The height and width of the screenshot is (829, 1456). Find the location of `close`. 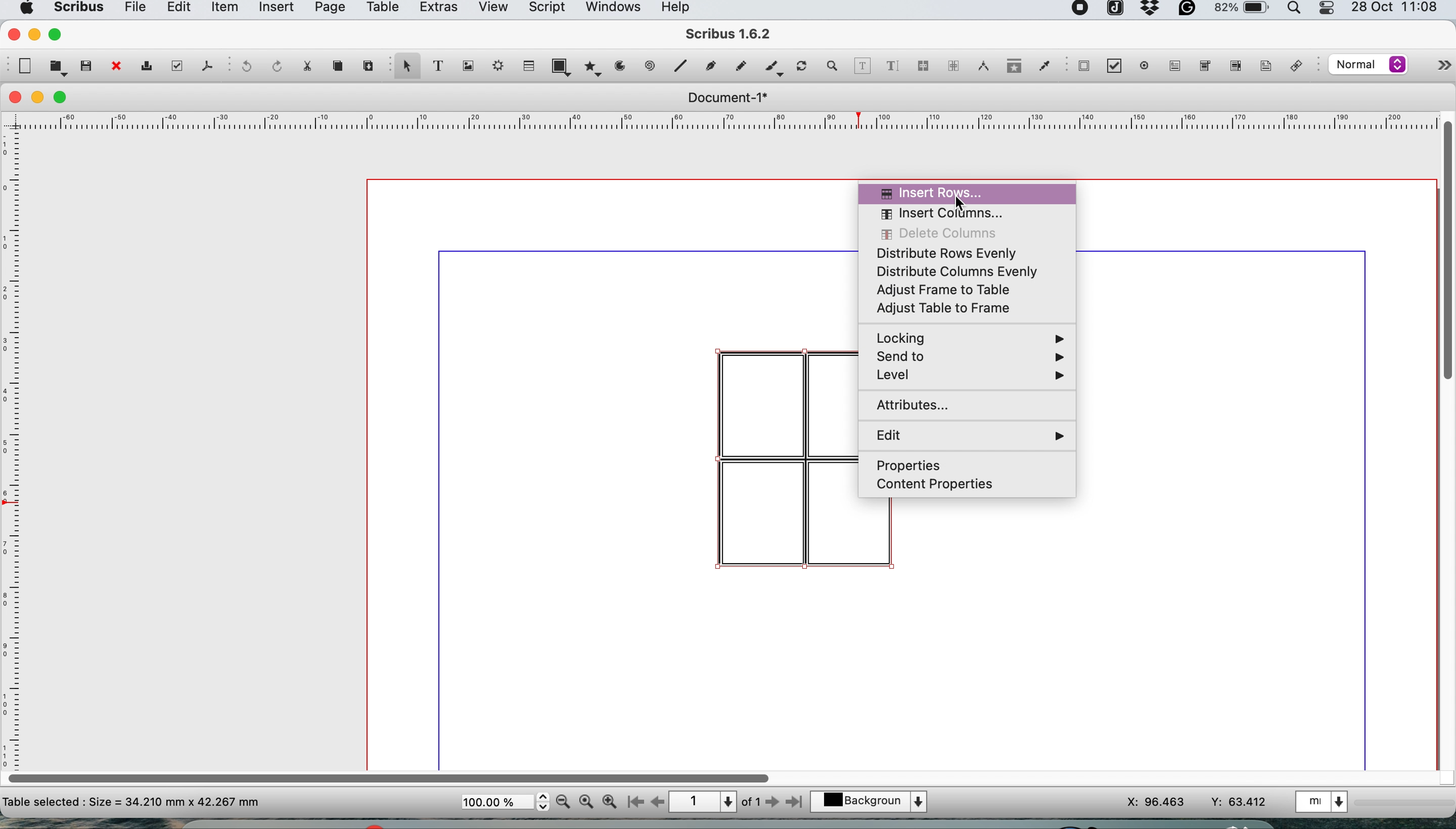

close is located at coordinates (12, 33).